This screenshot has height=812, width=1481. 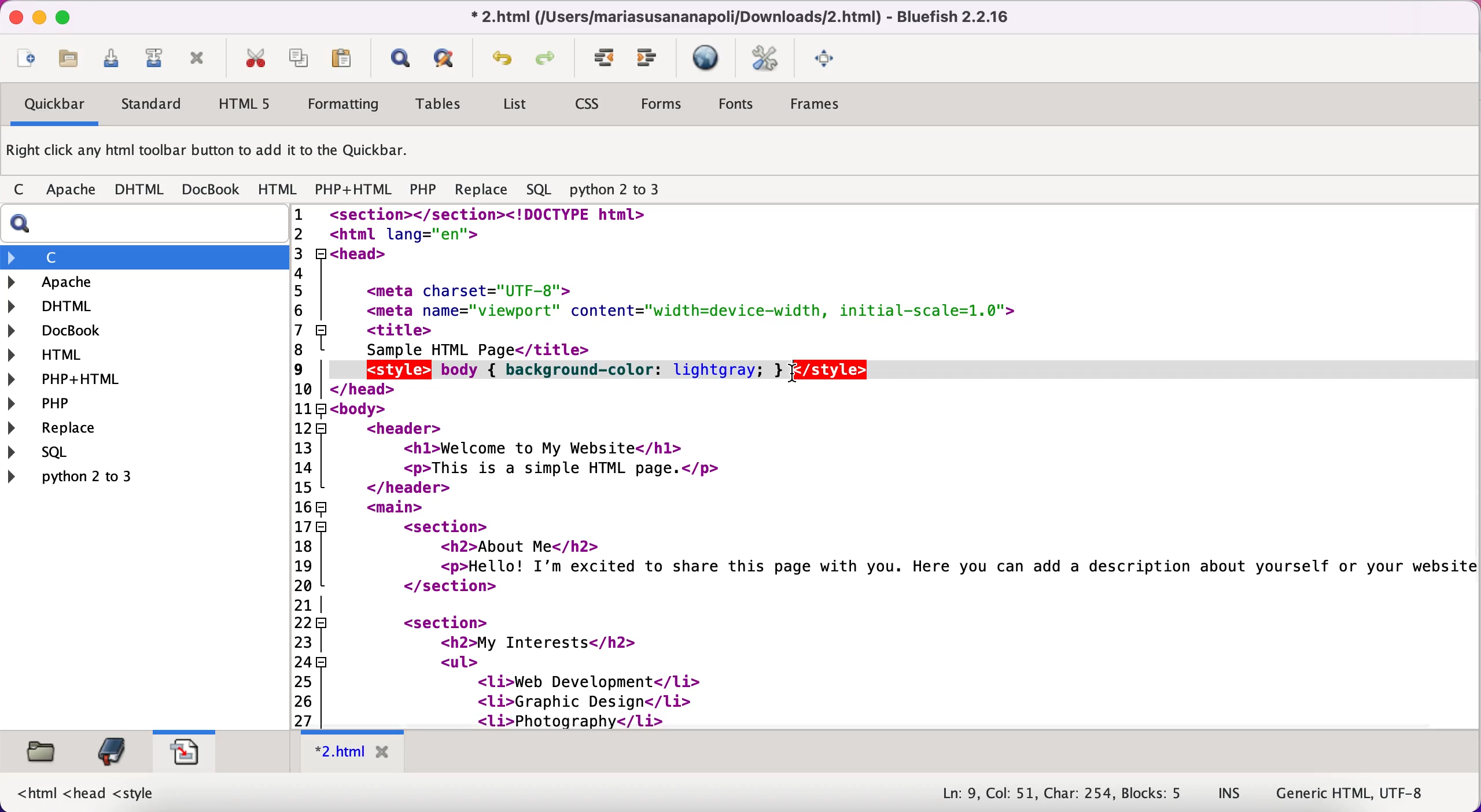 I want to click on right click any html toolbar button to add it to the quickbar., so click(x=210, y=153).